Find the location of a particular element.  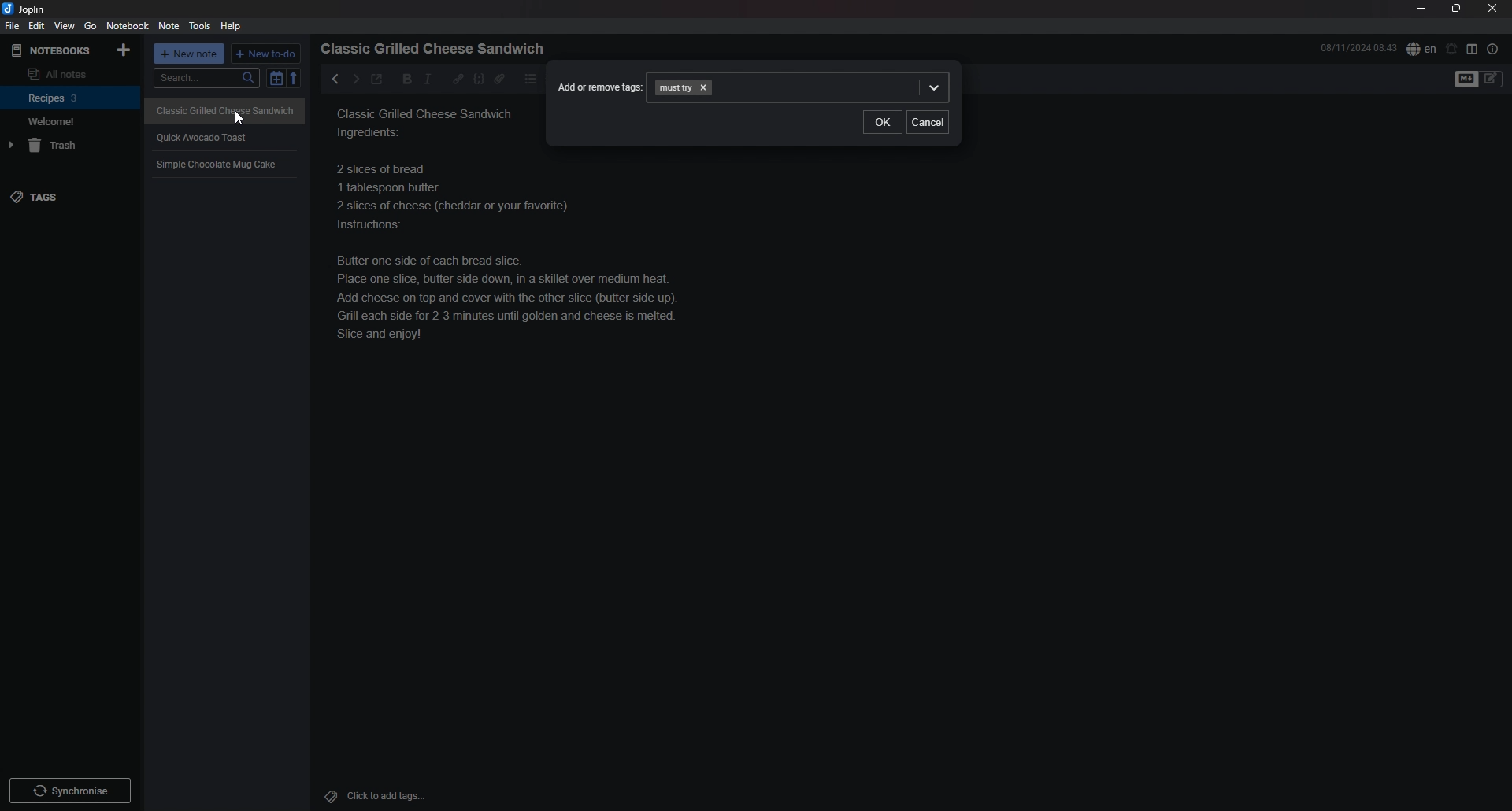

view is located at coordinates (64, 26).